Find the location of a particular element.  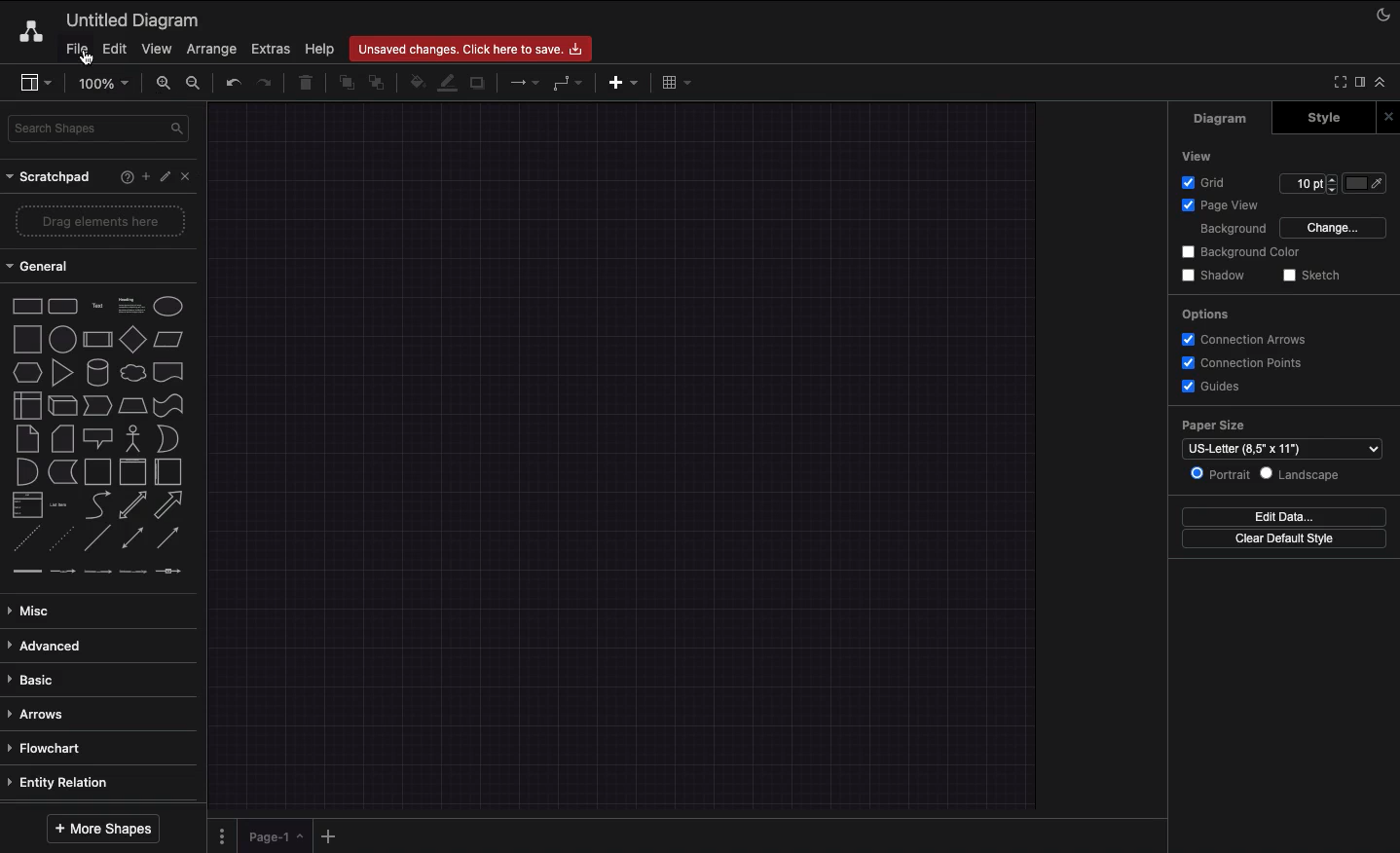

Edit is located at coordinates (167, 177).